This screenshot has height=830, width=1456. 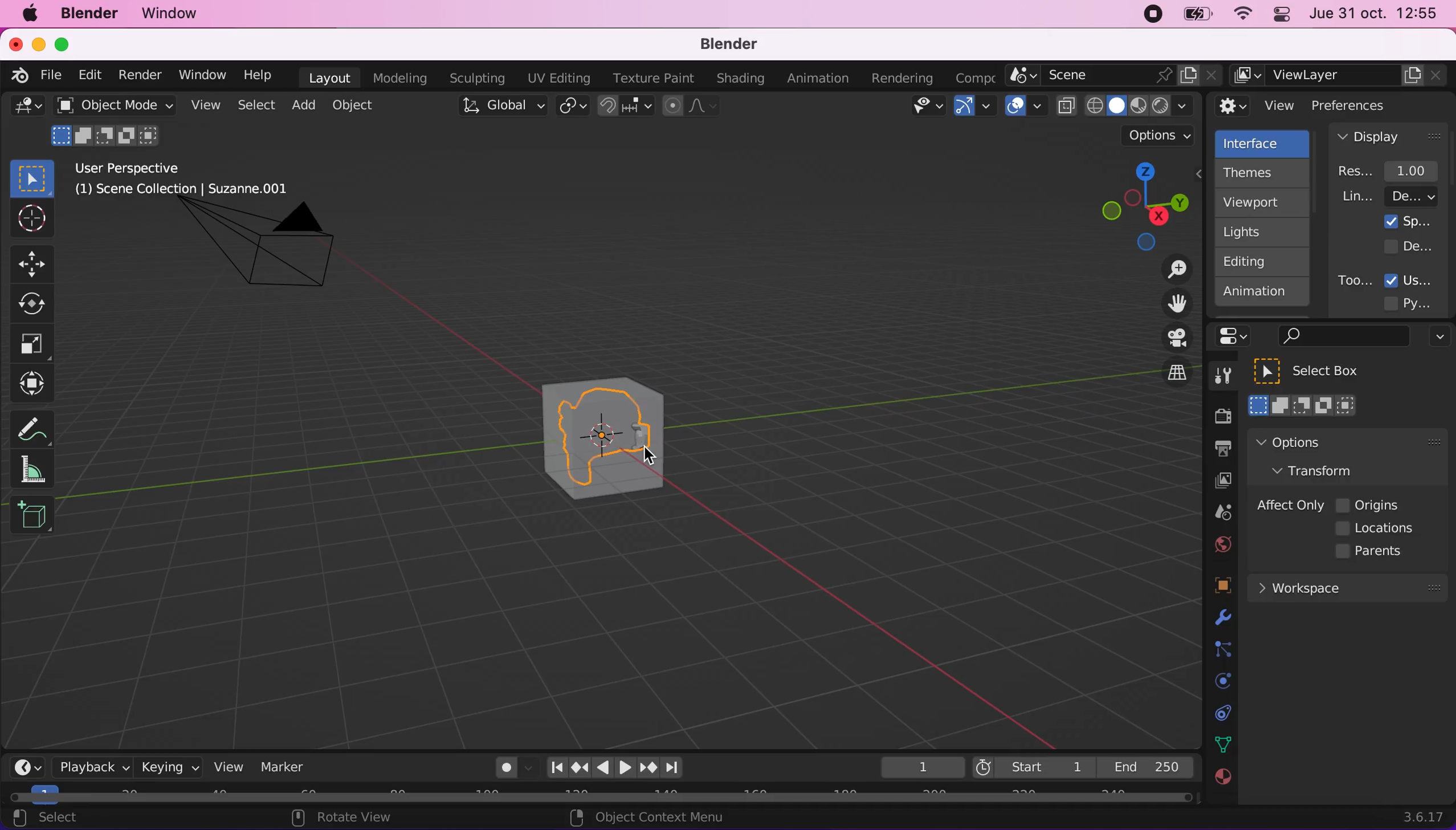 What do you see at coordinates (1239, 17) in the screenshot?
I see `wifi` at bounding box center [1239, 17].